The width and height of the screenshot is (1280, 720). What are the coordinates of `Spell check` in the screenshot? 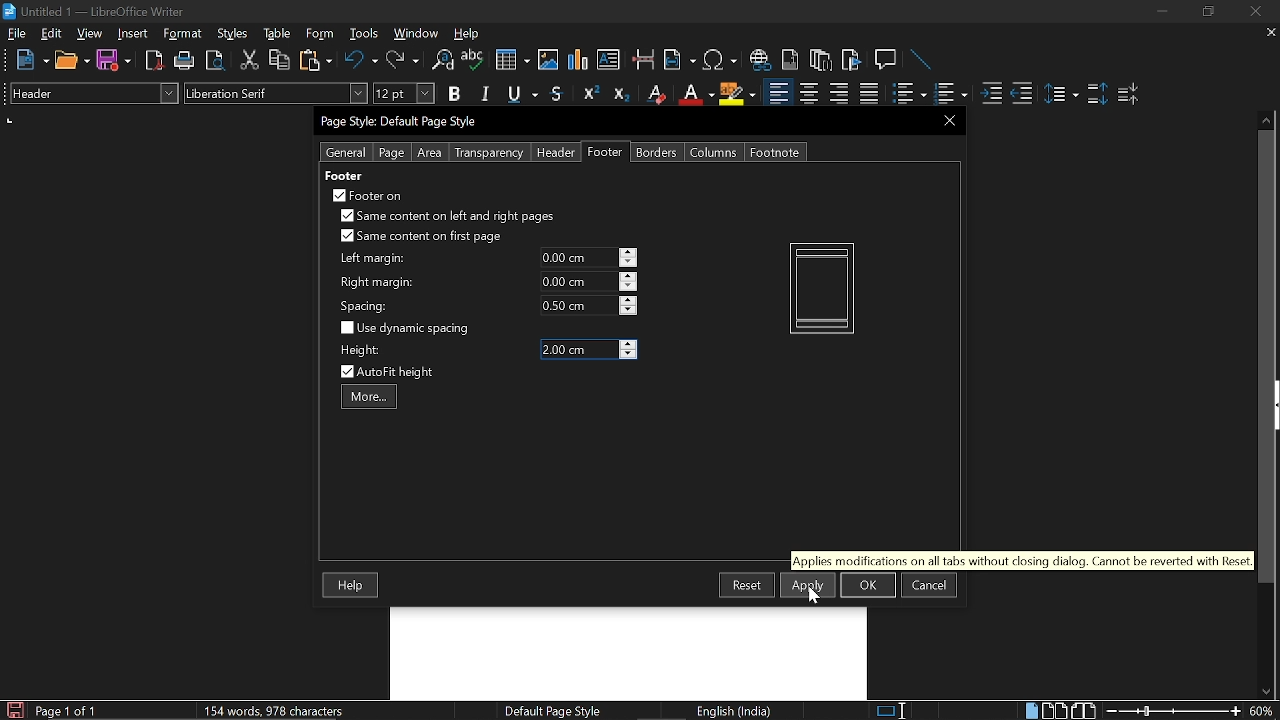 It's located at (473, 60).